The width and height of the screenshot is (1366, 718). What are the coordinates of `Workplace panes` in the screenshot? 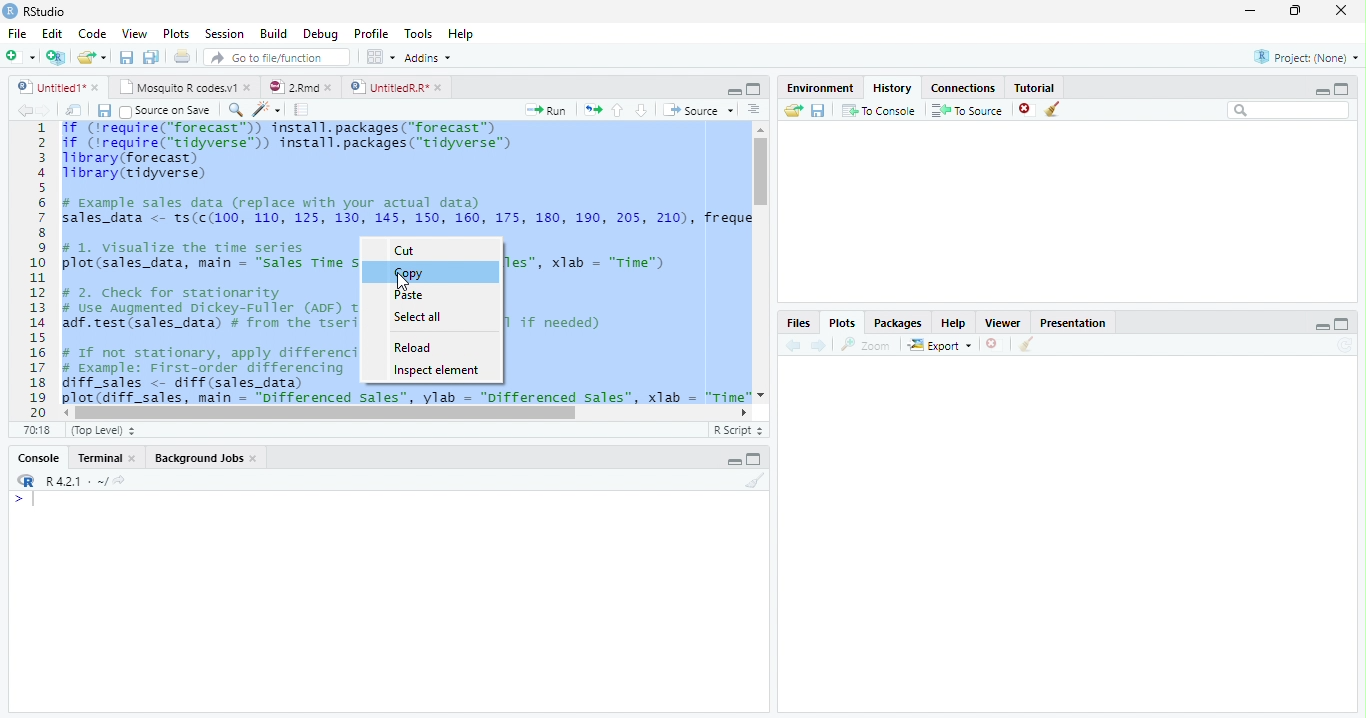 It's located at (379, 56).